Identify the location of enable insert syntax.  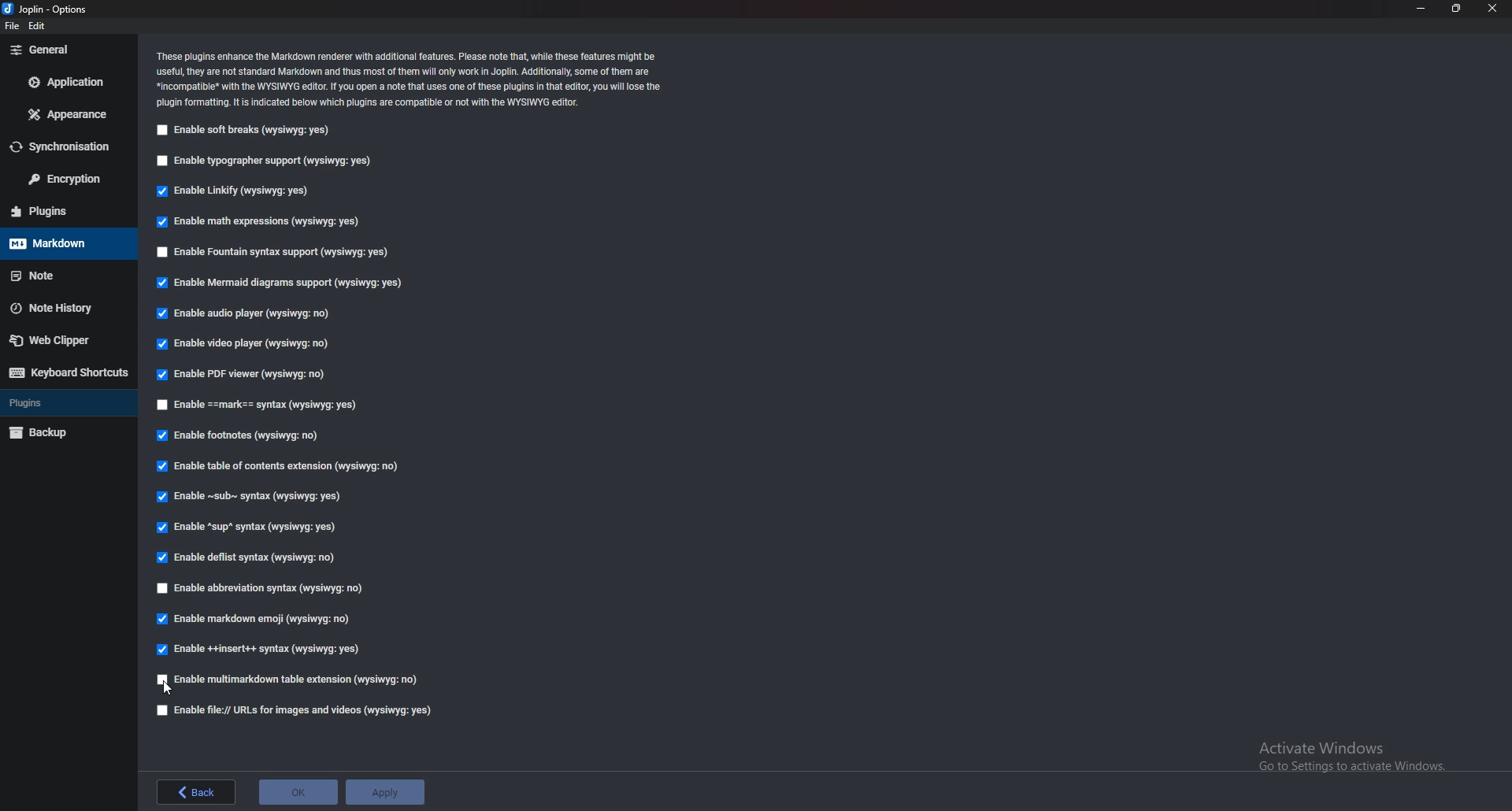
(259, 650).